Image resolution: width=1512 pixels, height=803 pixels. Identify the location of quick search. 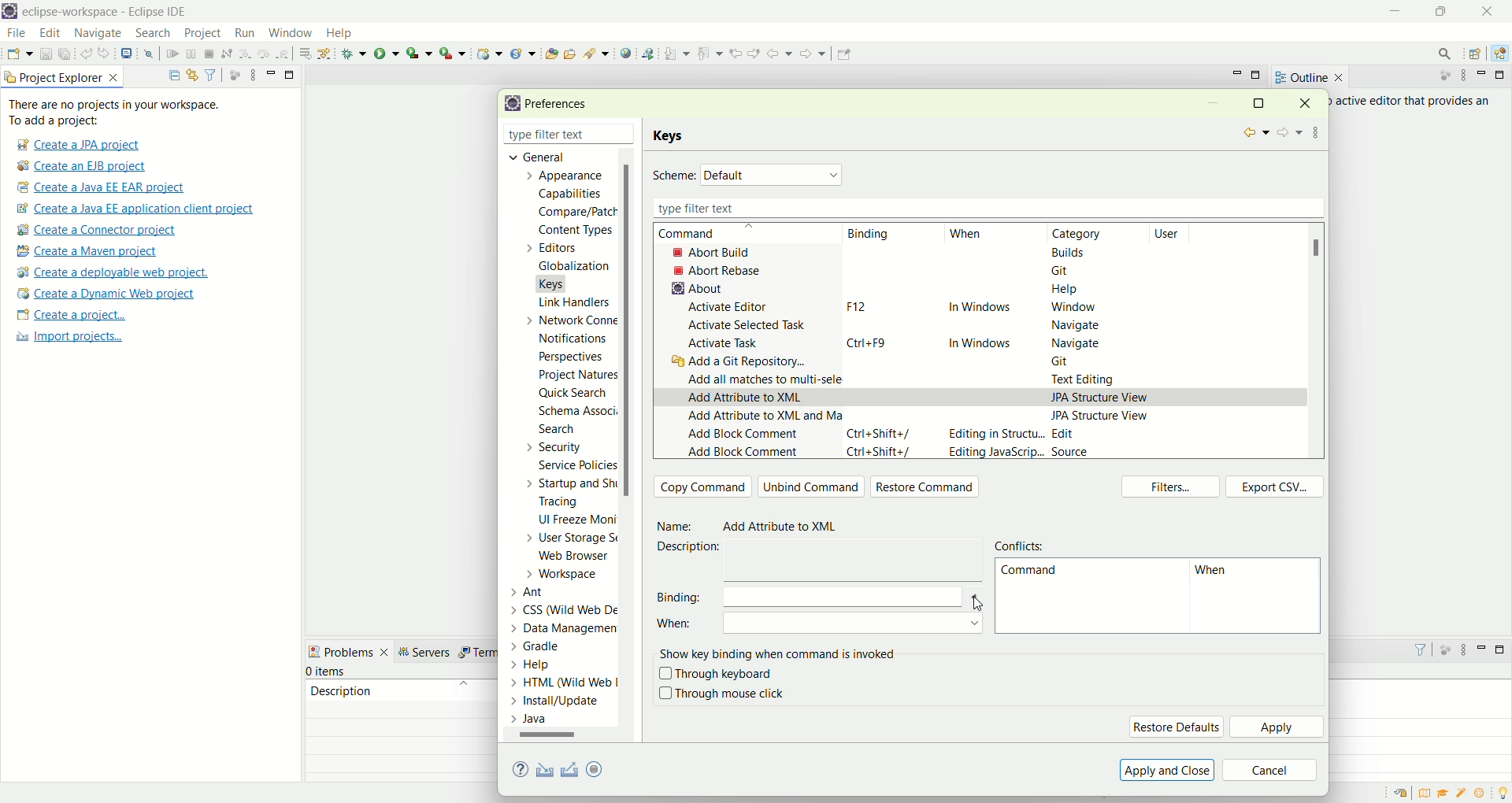
(573, 395).